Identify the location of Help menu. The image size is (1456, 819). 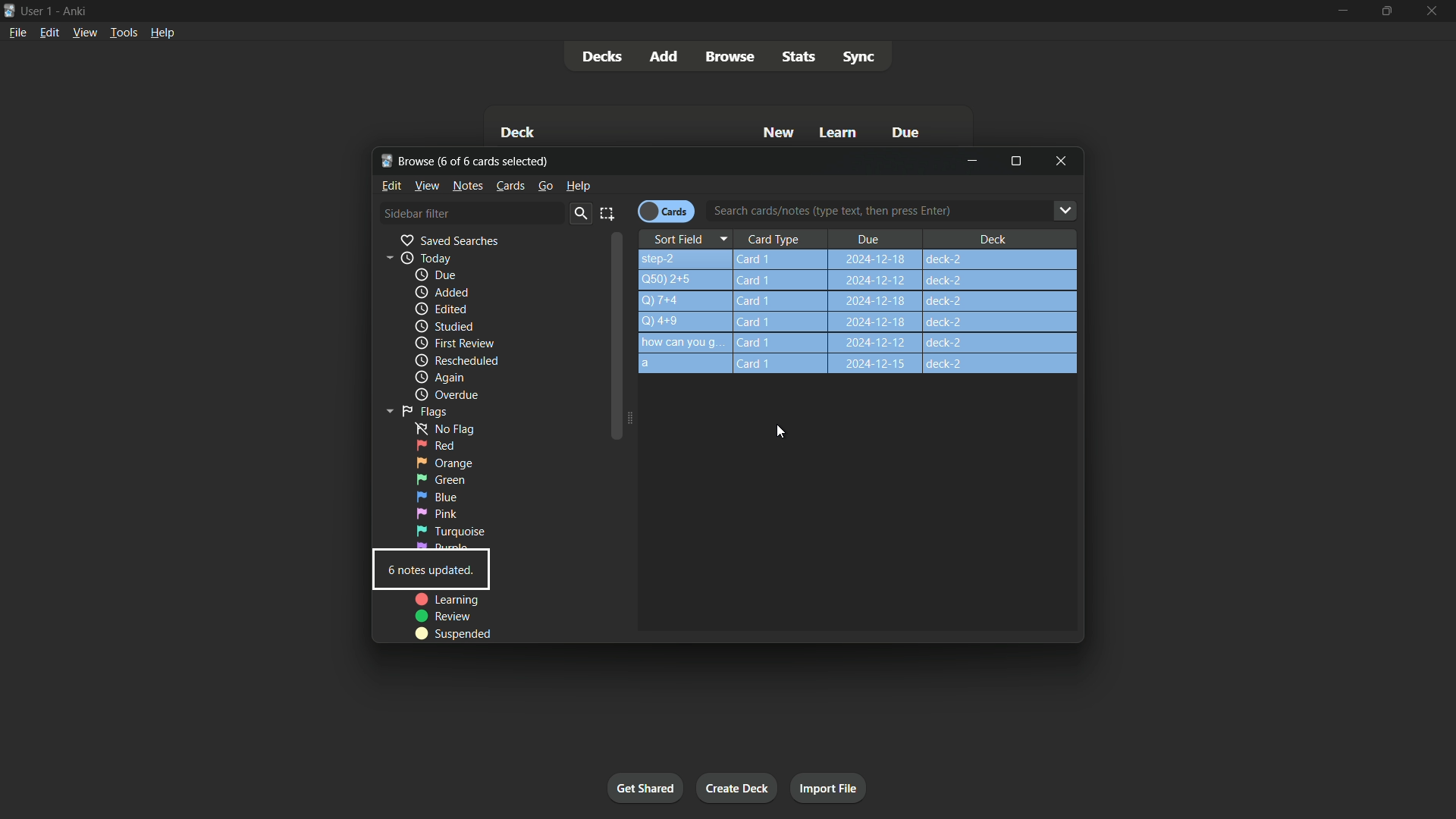
(165, 33).